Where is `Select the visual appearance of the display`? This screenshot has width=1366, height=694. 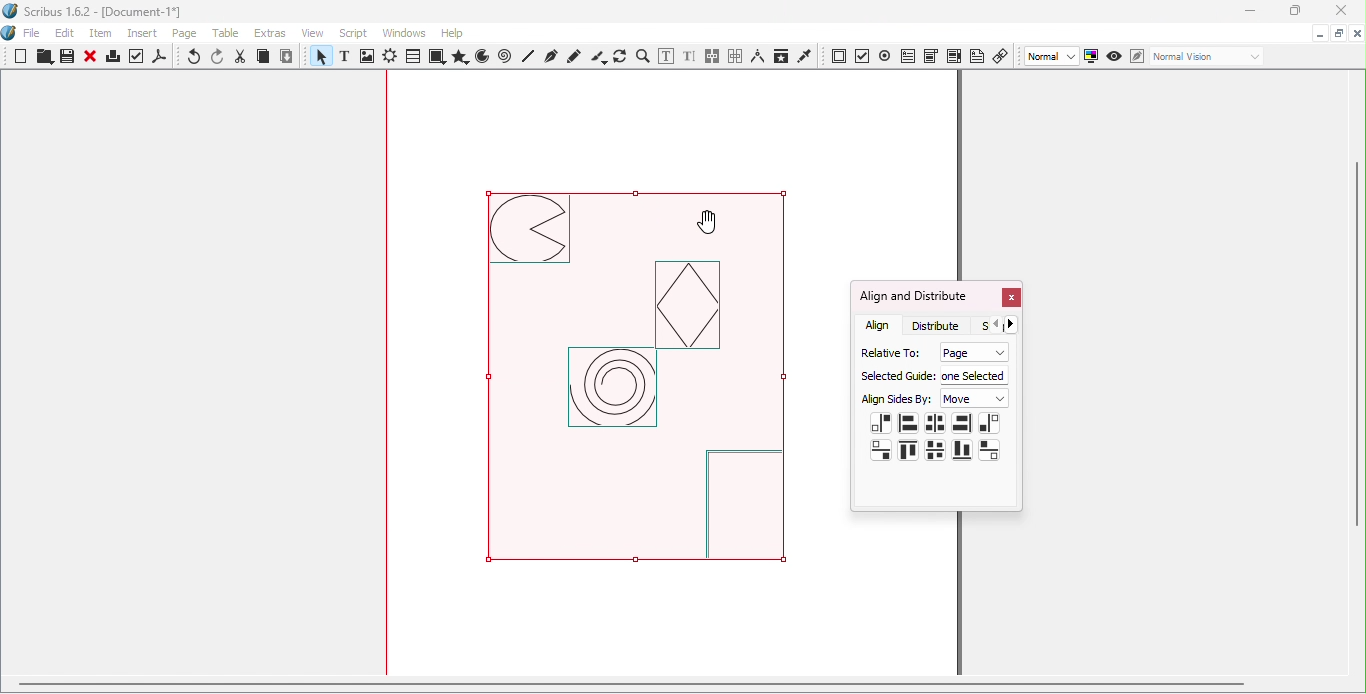
Select the visual appearance of the display is located at coordinates (1206, 57).